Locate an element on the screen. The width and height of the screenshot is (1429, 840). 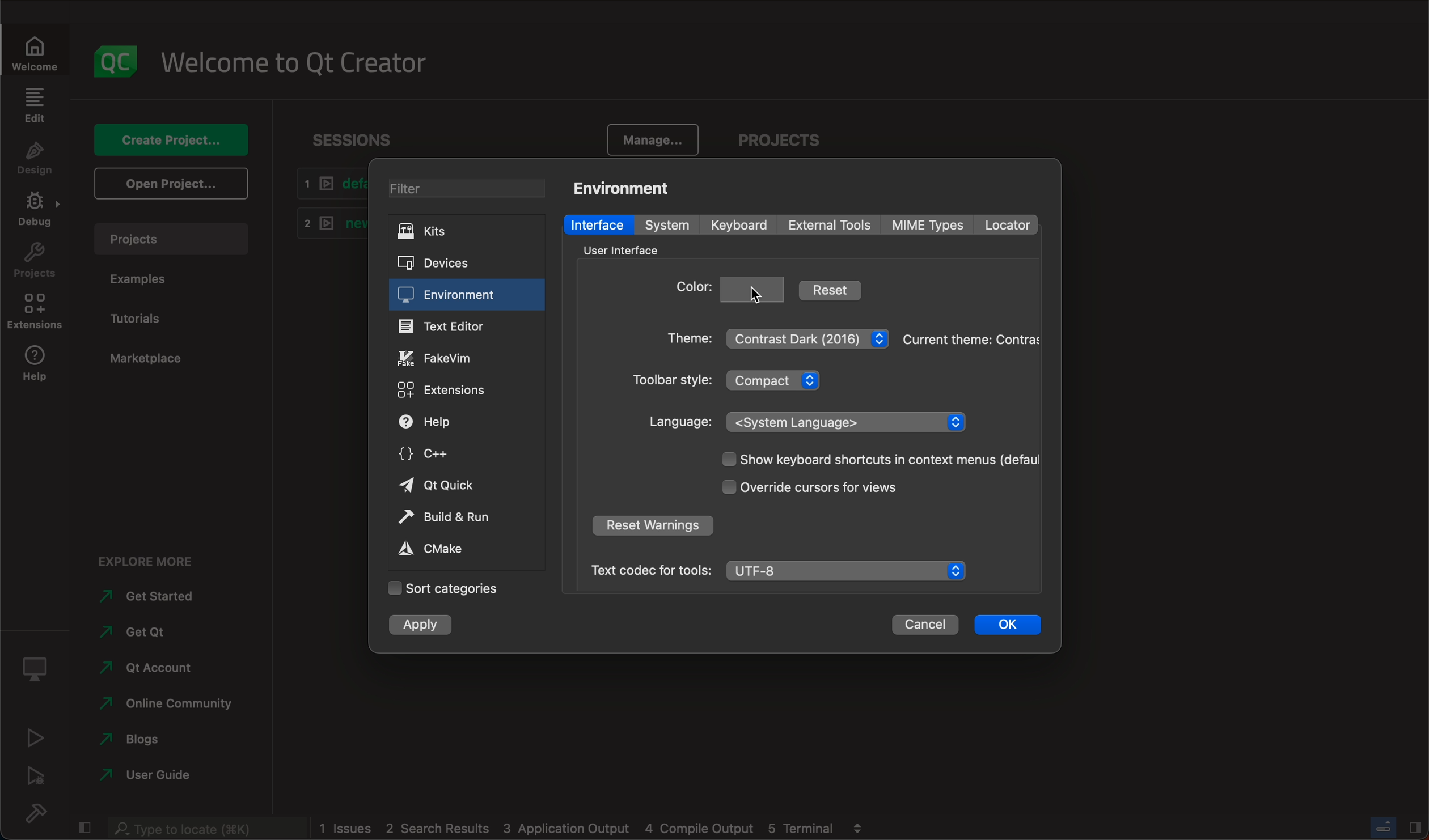
reset warnings is located at coordinates (652, 527).